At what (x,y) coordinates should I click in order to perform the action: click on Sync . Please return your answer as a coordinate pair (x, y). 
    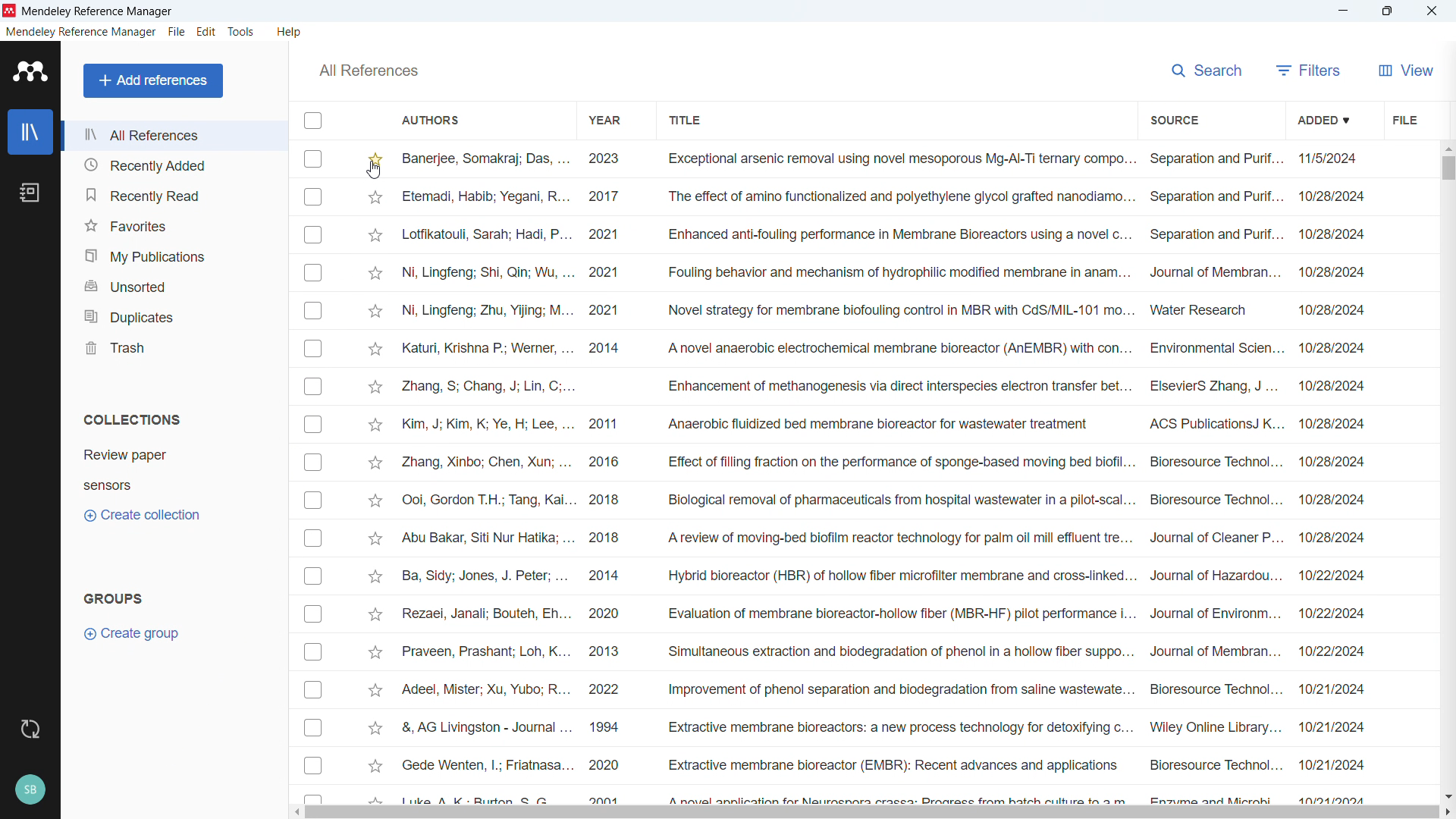
    Looking at the image, I should click on (29, 729).